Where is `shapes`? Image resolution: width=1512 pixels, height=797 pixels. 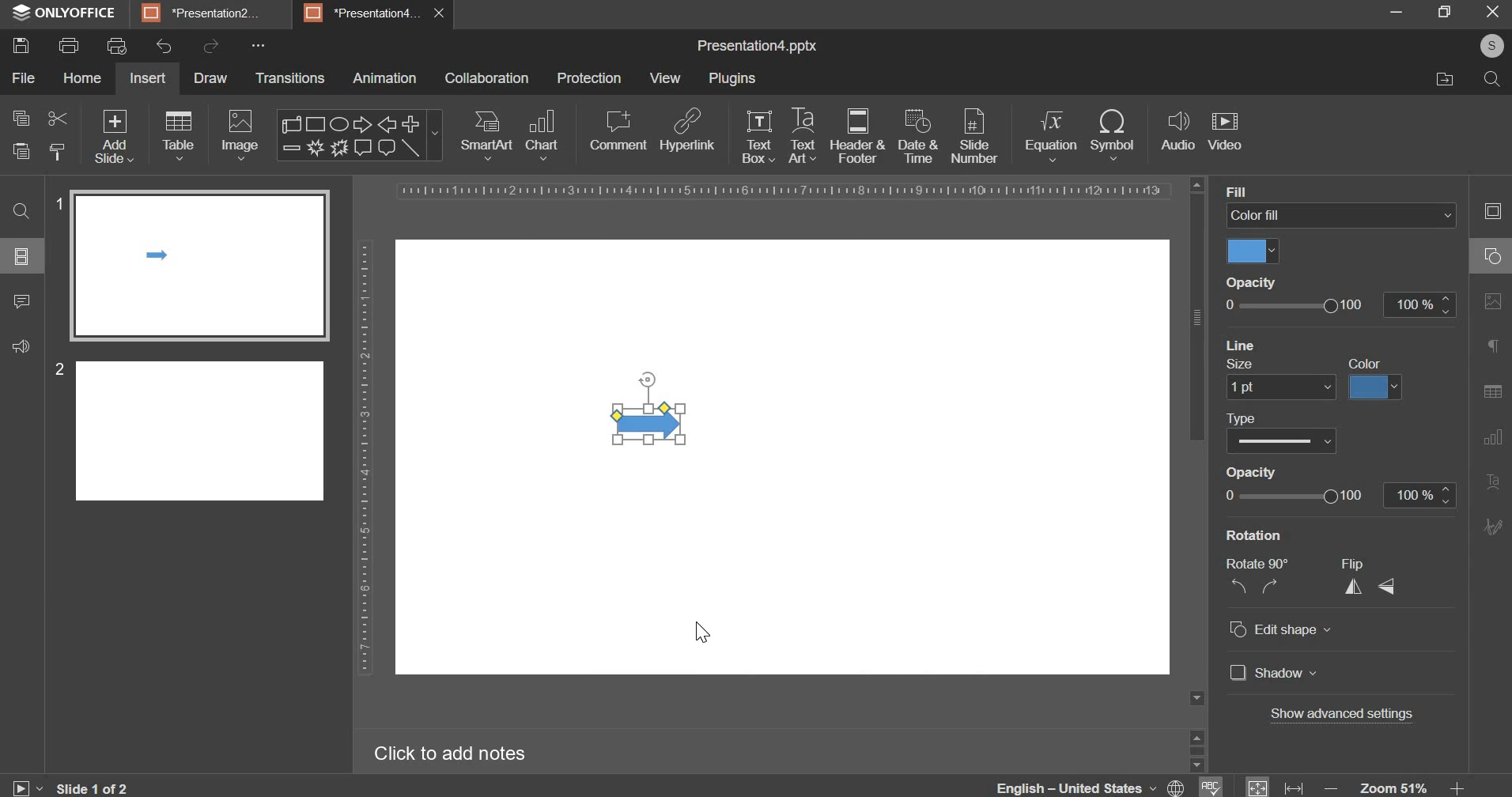
shapes is located at coordinates (359, 134).